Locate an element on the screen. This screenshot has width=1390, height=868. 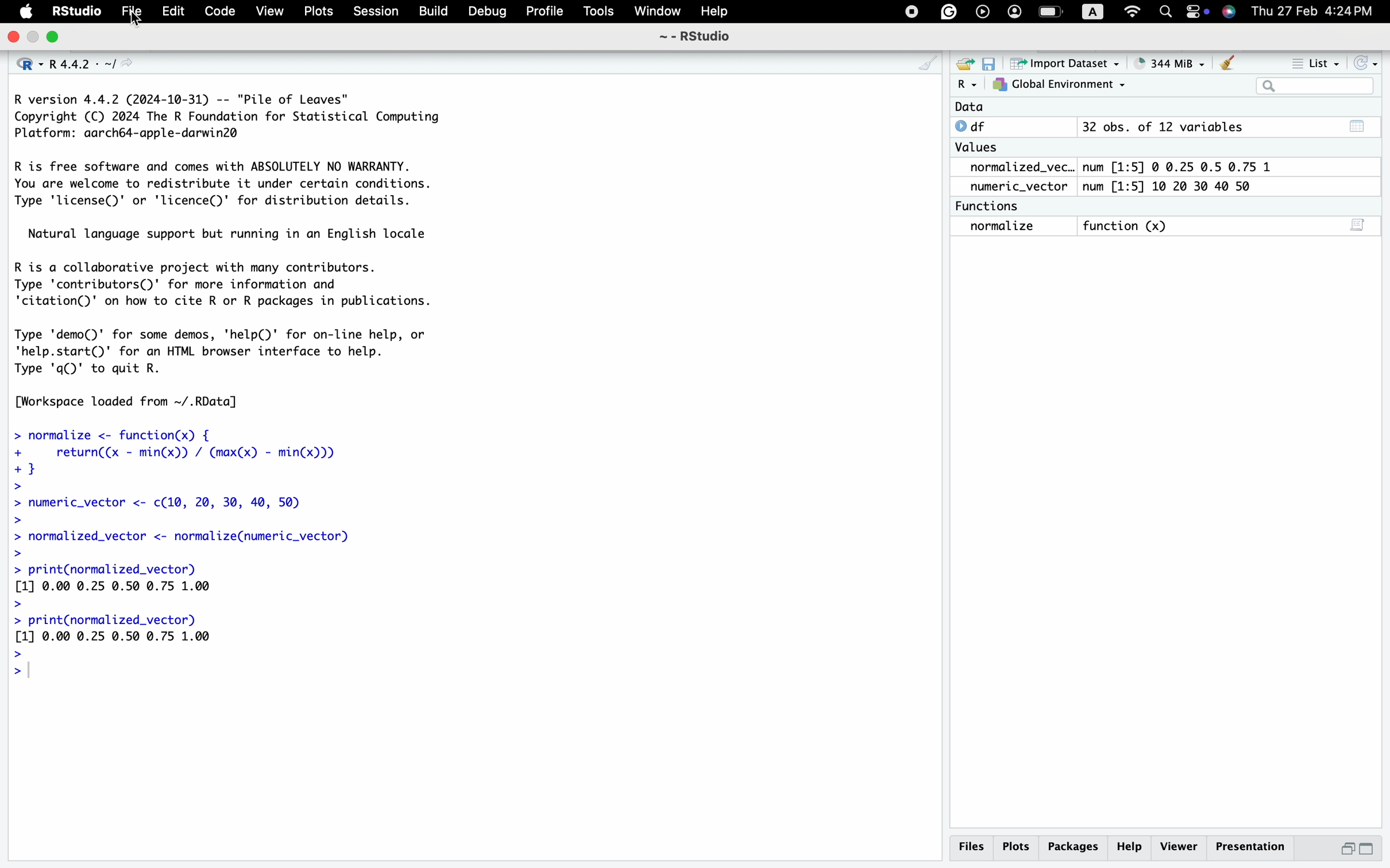
minimize is located at coordinates (1347, 850).